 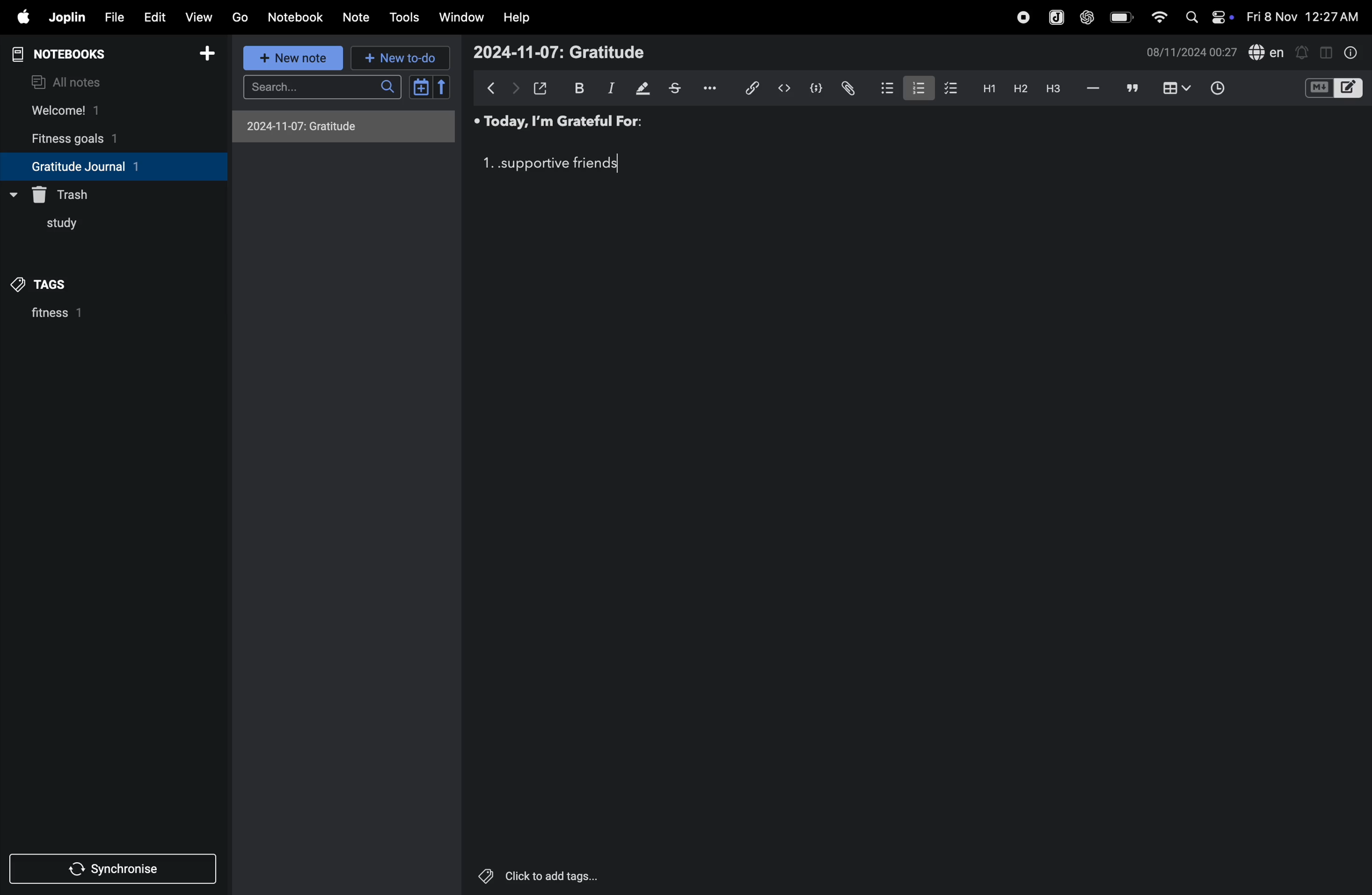 I want to click on info, so click(x=1352, y=54).